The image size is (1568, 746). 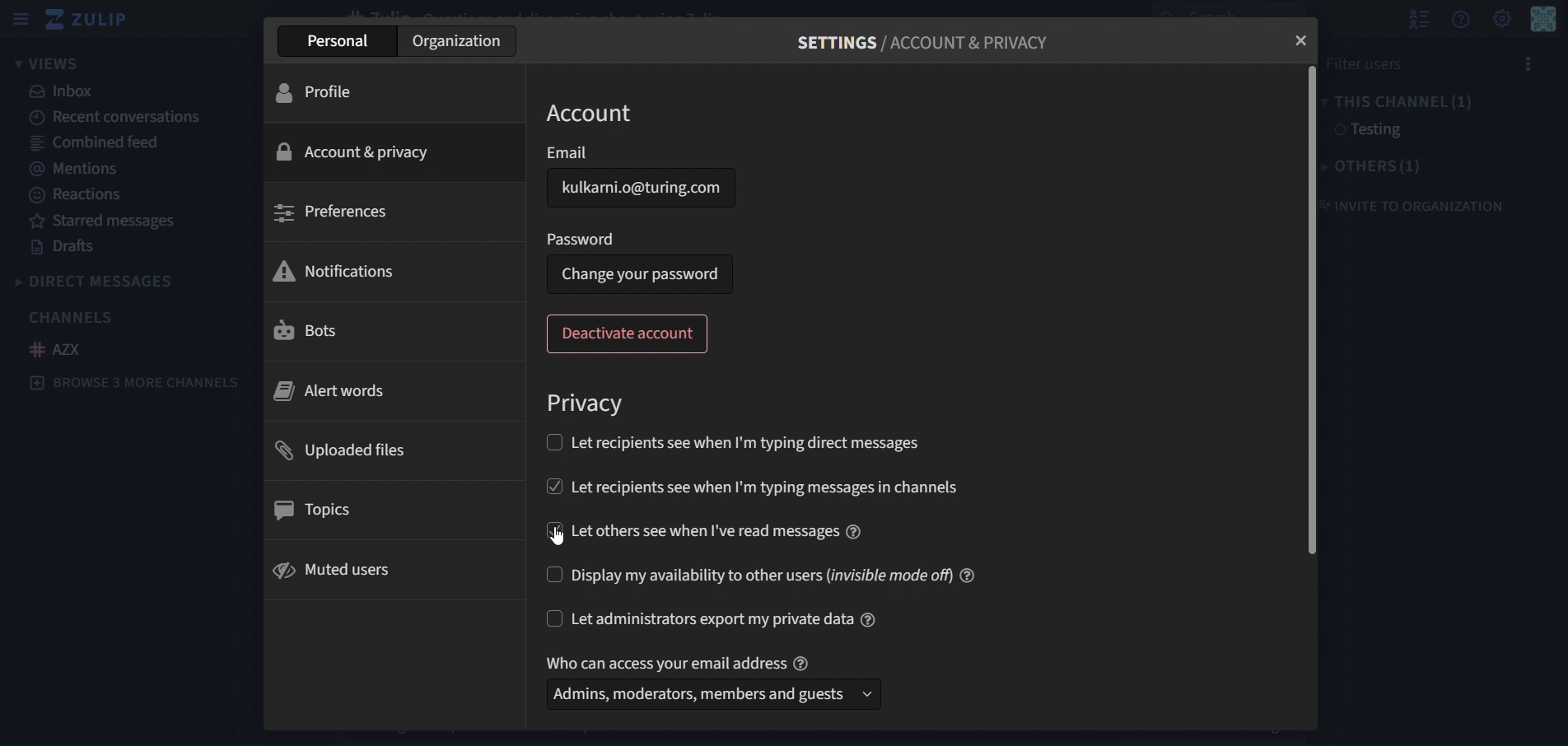 What do you see at coordinates (61, 247) in the screenshot?
I see `drafts` at bounding box center [61, 247].